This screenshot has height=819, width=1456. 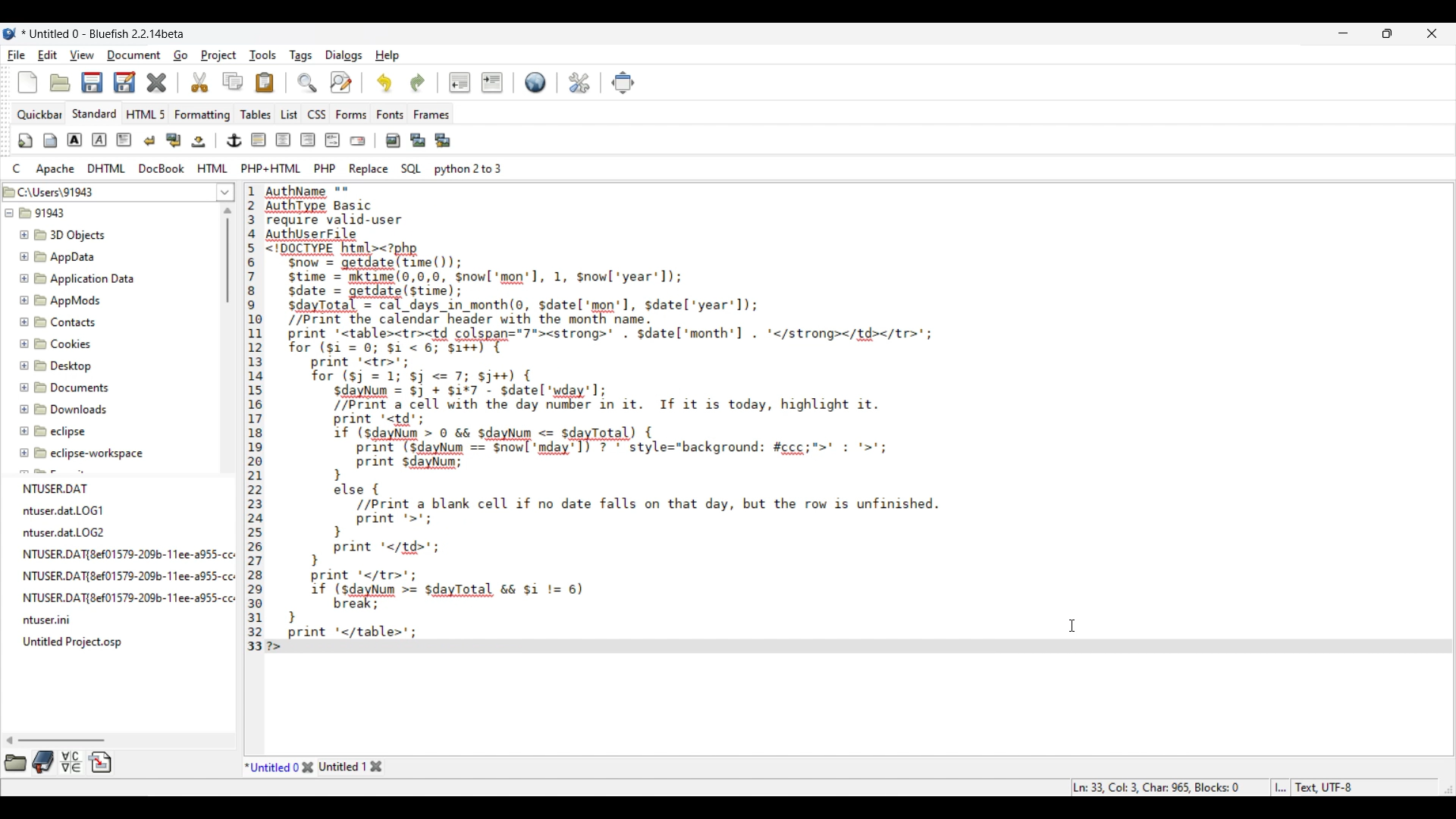 What do you see at coordinates (308, 767) in the screenshot?
I see `Close tab` at bounding box center [308, 767].